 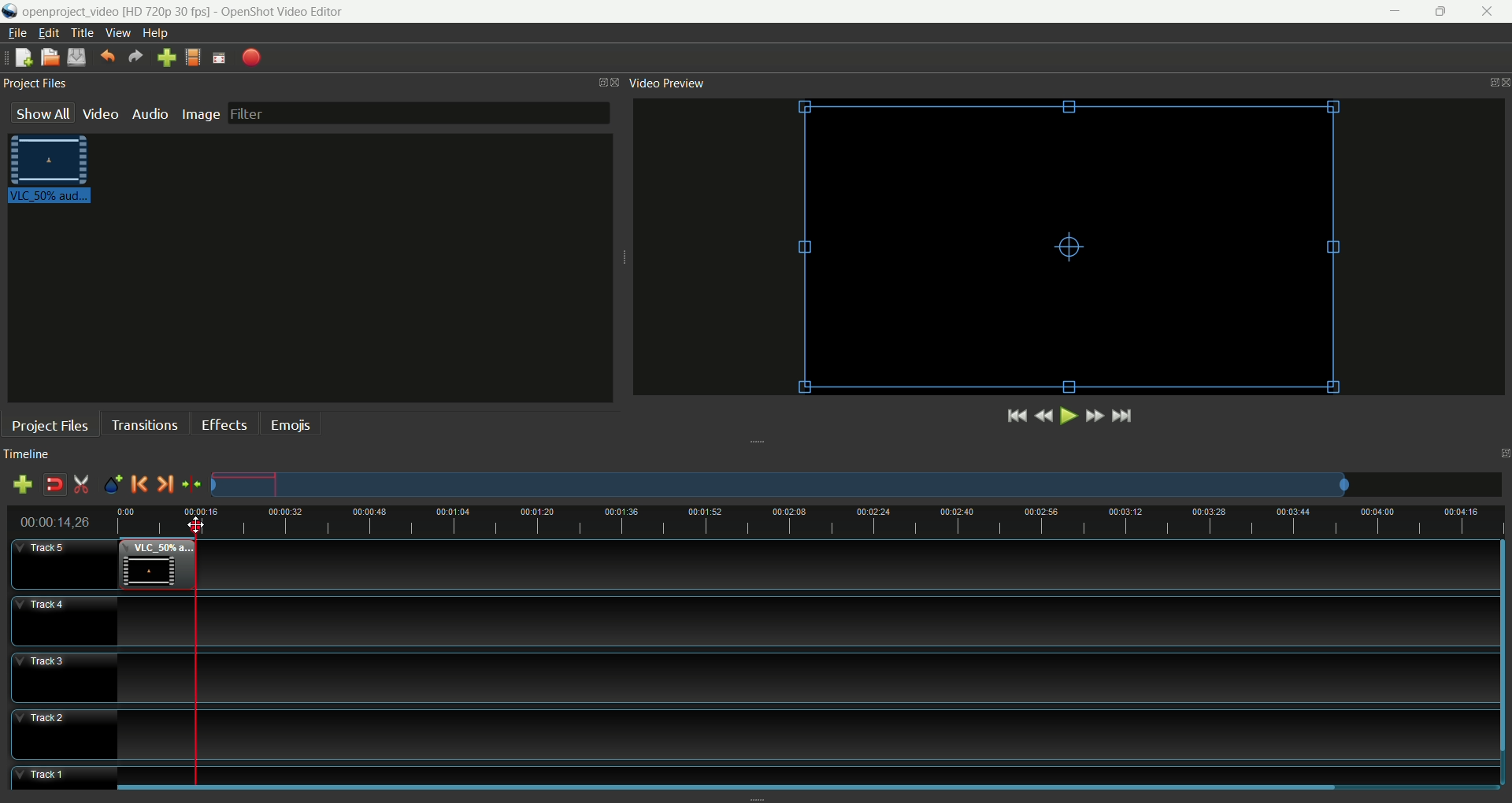 I want to click on transition, so click(x=144, y=424).